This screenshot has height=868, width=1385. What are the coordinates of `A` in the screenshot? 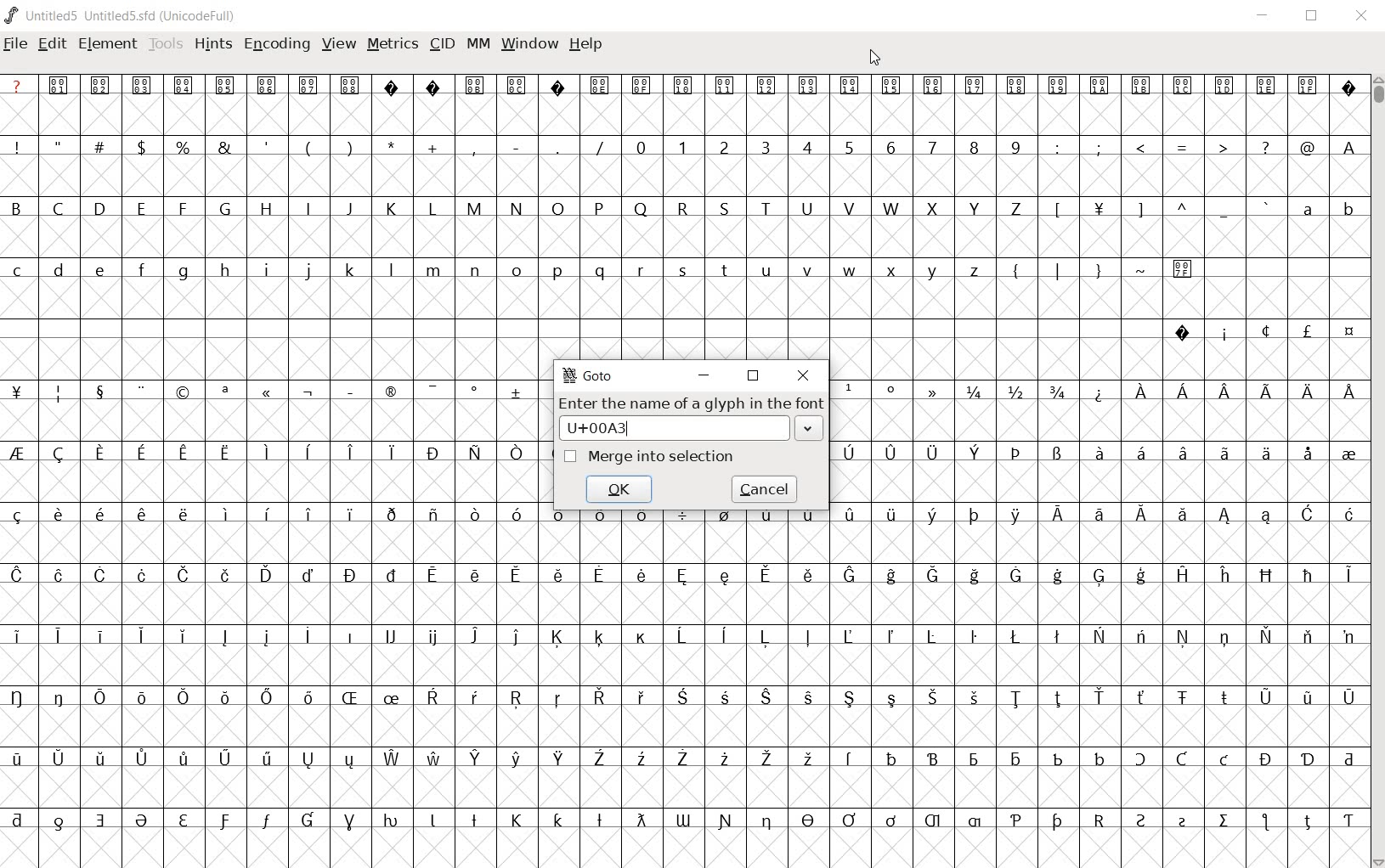 It's located at (1347, 146).